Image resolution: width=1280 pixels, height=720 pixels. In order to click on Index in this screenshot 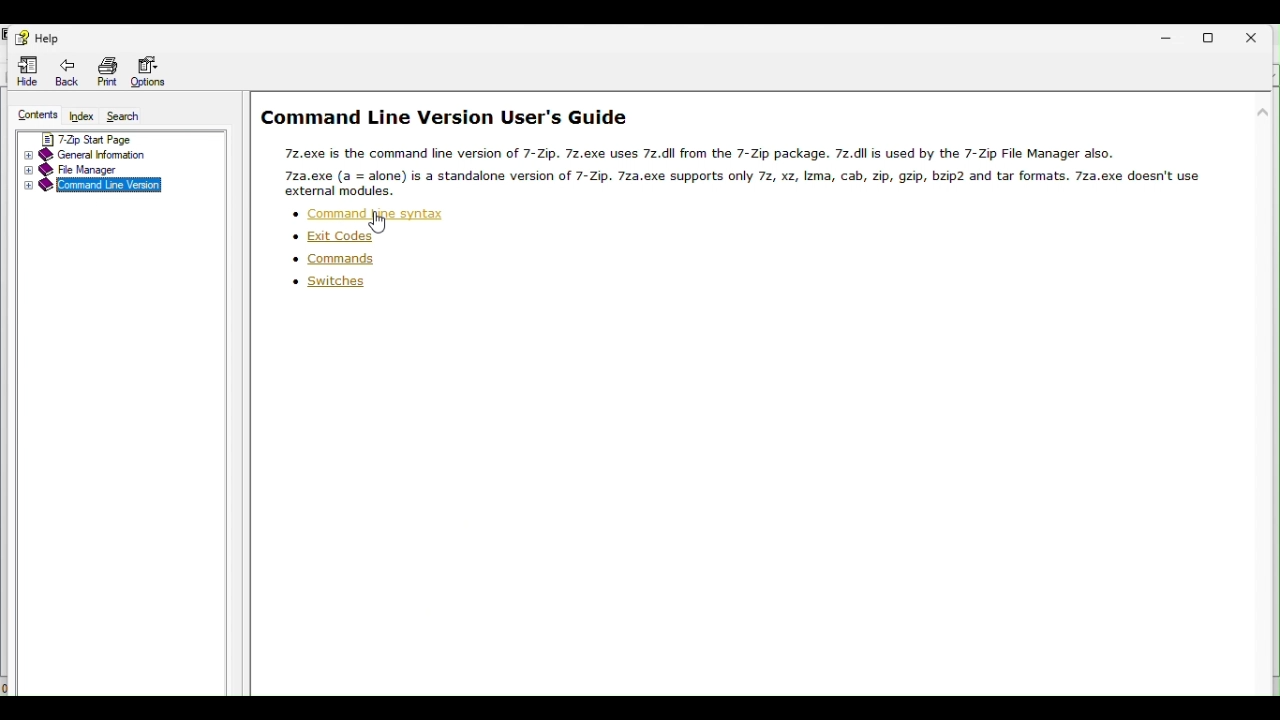, I will do `click(80, 117)`.